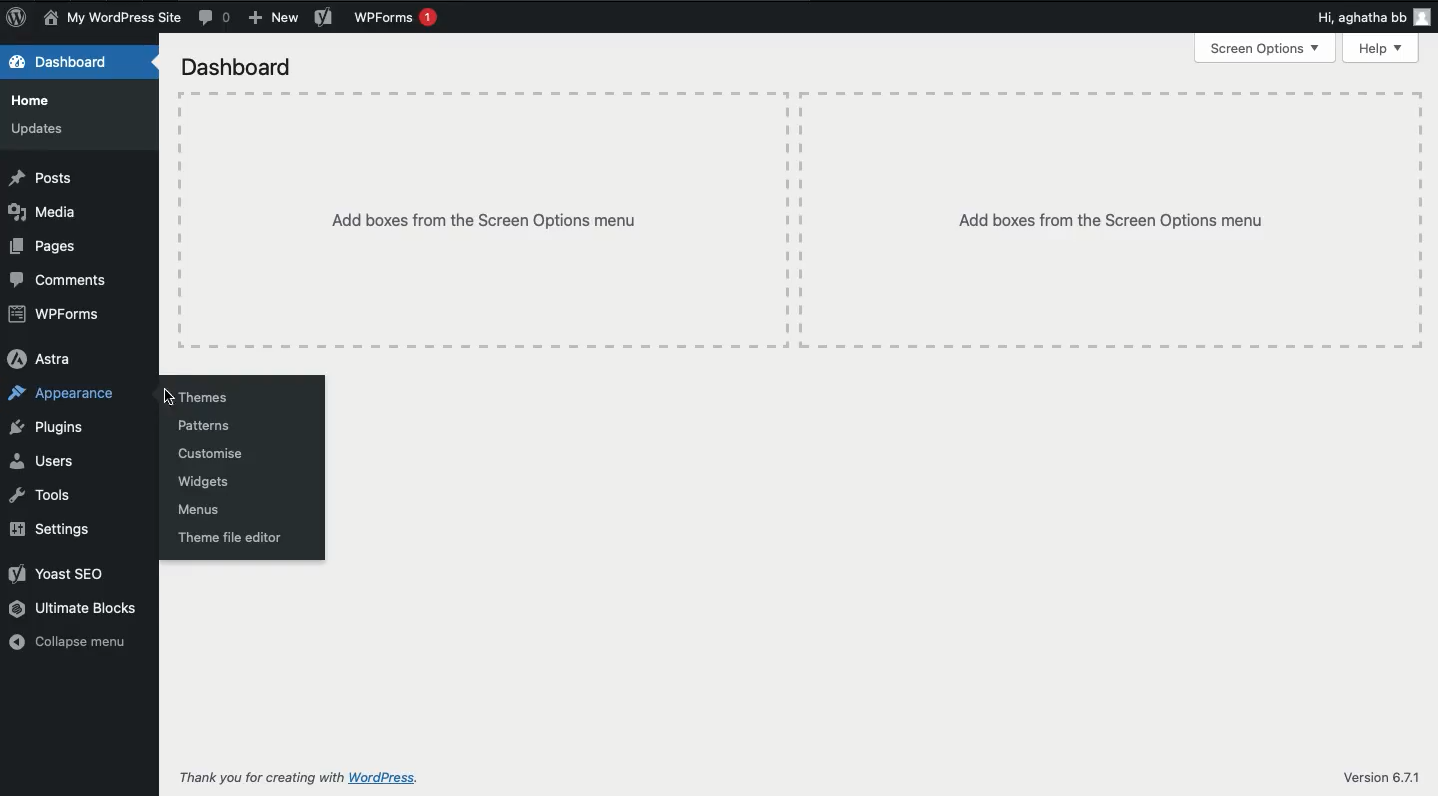 The width and height of the screenshot is (1438, 796). Describe the element at coordinates (17, 18) in the screenshot. I see `WordPress` at that location.